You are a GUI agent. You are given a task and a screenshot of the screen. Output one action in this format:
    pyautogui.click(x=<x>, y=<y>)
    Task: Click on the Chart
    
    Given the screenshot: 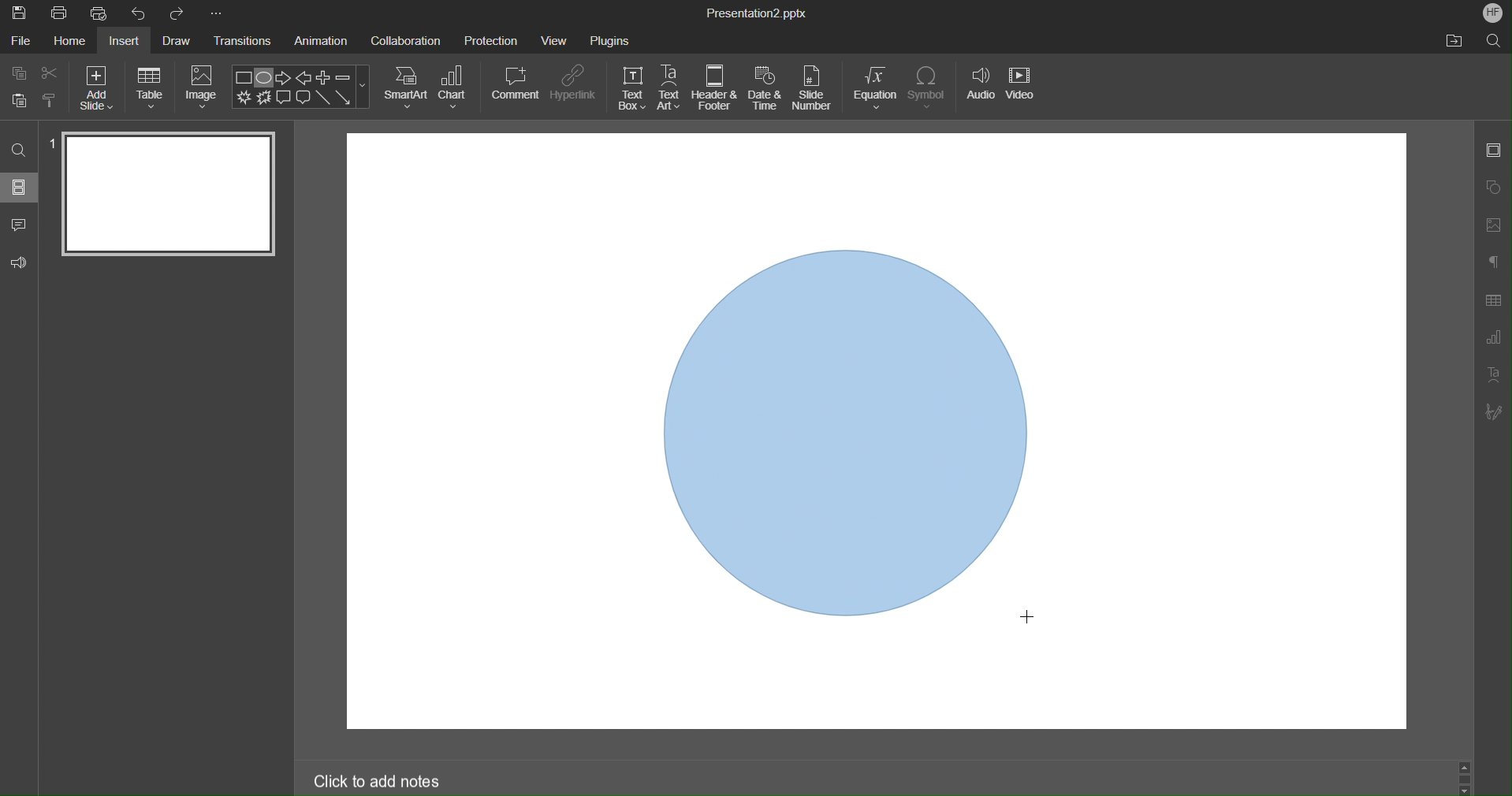 What is the action you would take?
    pyautogui.click(x=455, y=87)
    